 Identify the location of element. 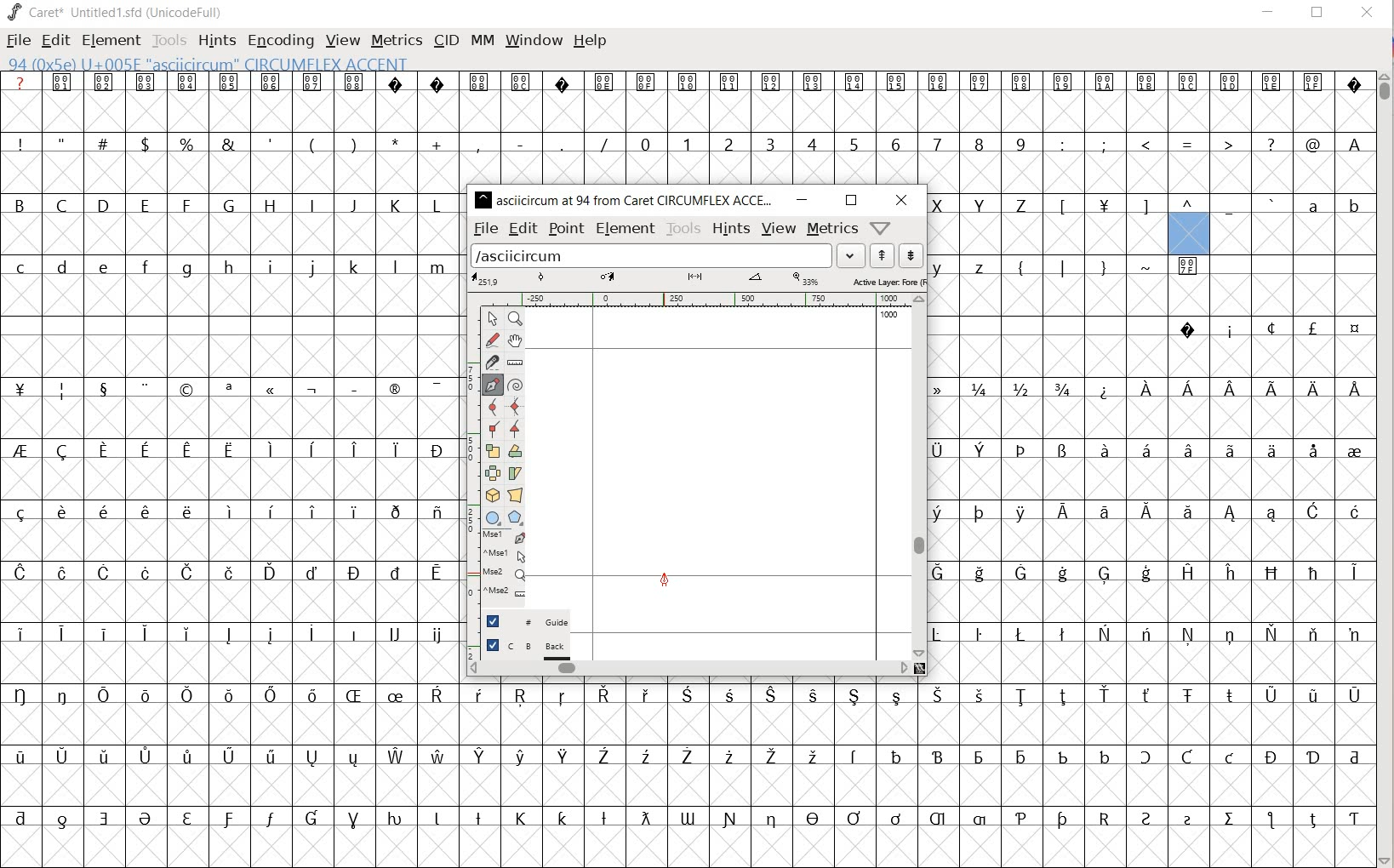
(626, 228).